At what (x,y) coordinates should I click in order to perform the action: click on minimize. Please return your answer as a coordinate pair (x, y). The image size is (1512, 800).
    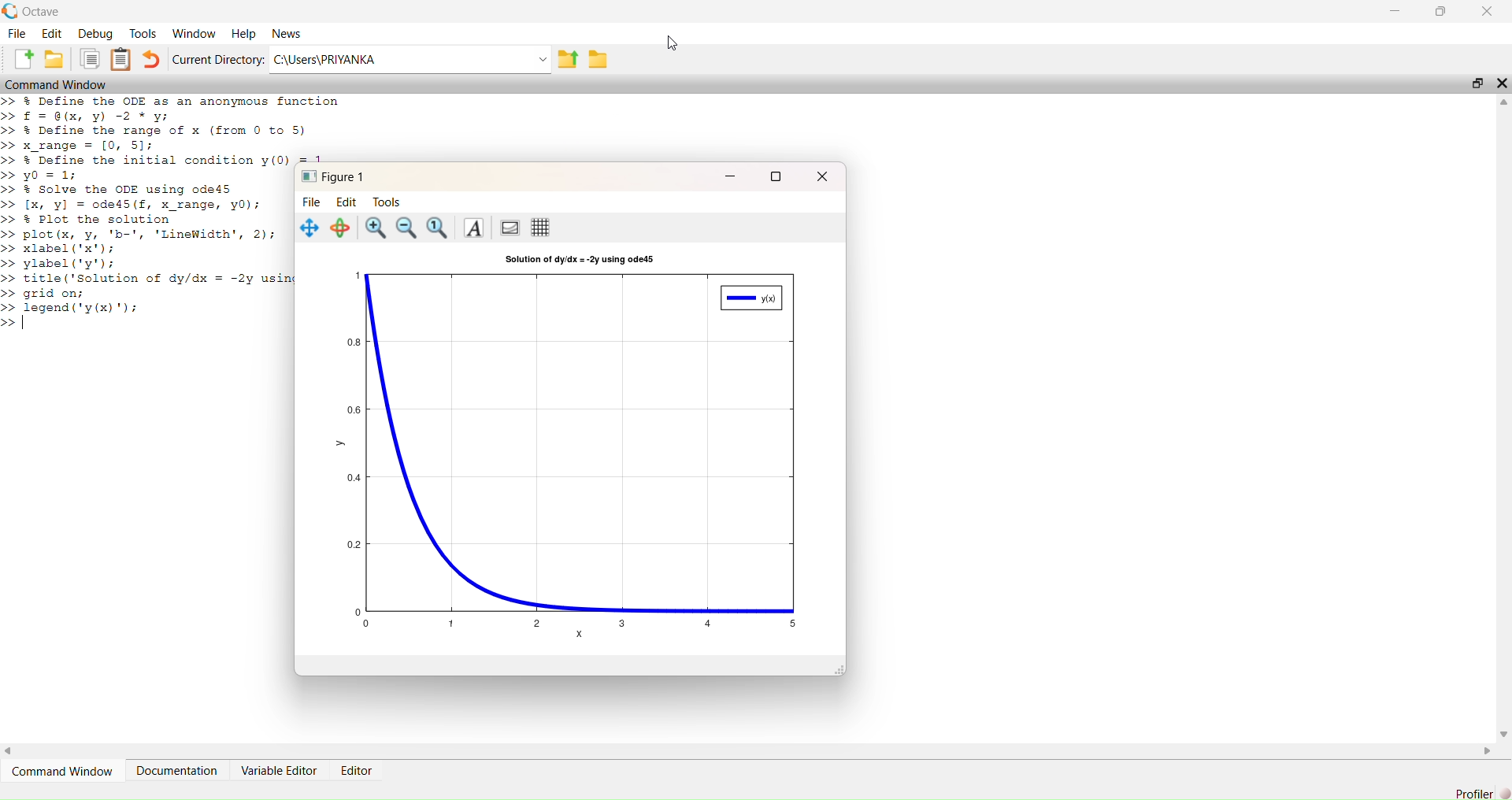
    Looking at the image, I should click on (730, 176).